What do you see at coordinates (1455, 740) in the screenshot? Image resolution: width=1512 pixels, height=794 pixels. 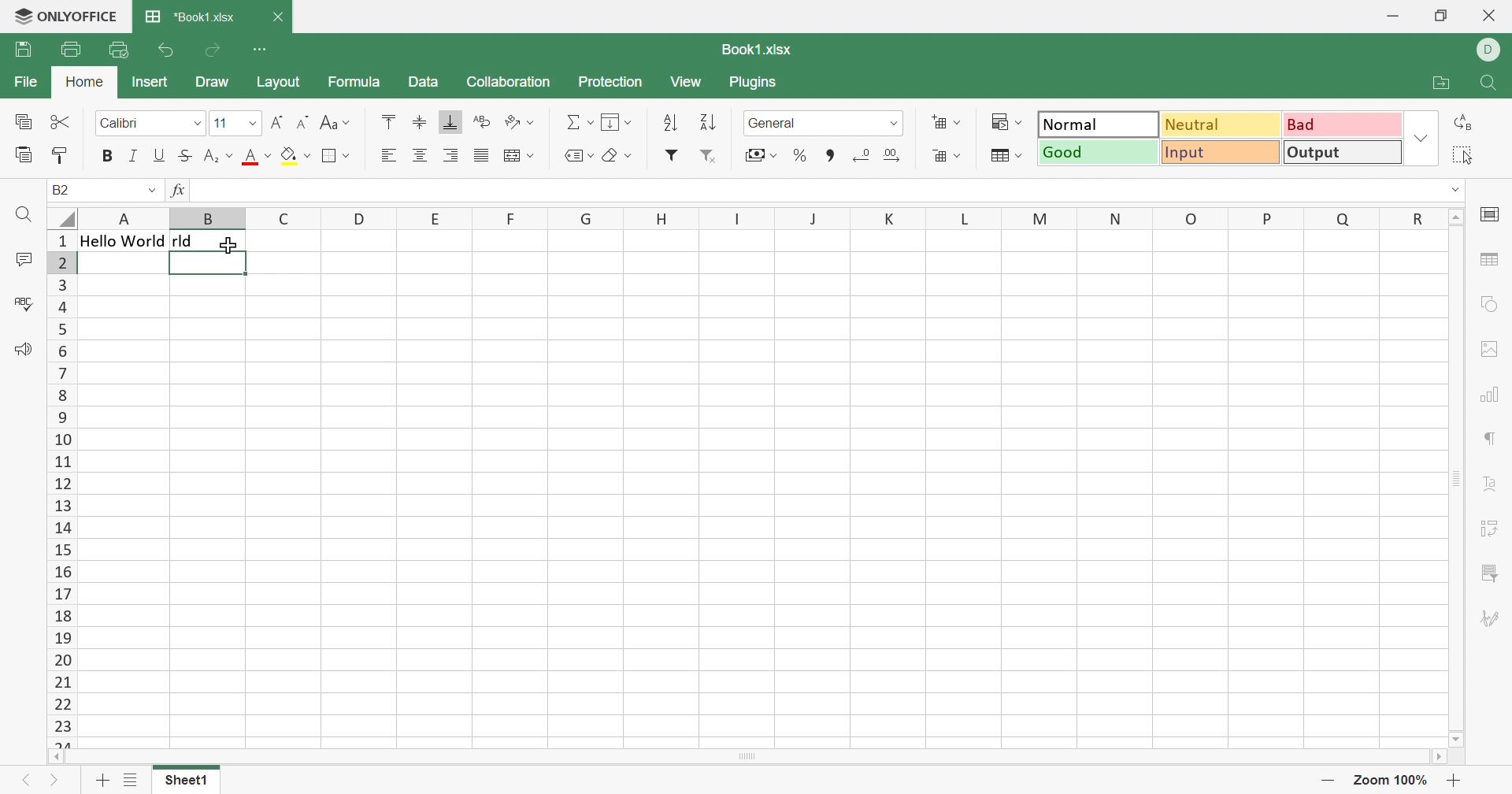 I see `Scroll Down` at bounding box center [1455, 740].